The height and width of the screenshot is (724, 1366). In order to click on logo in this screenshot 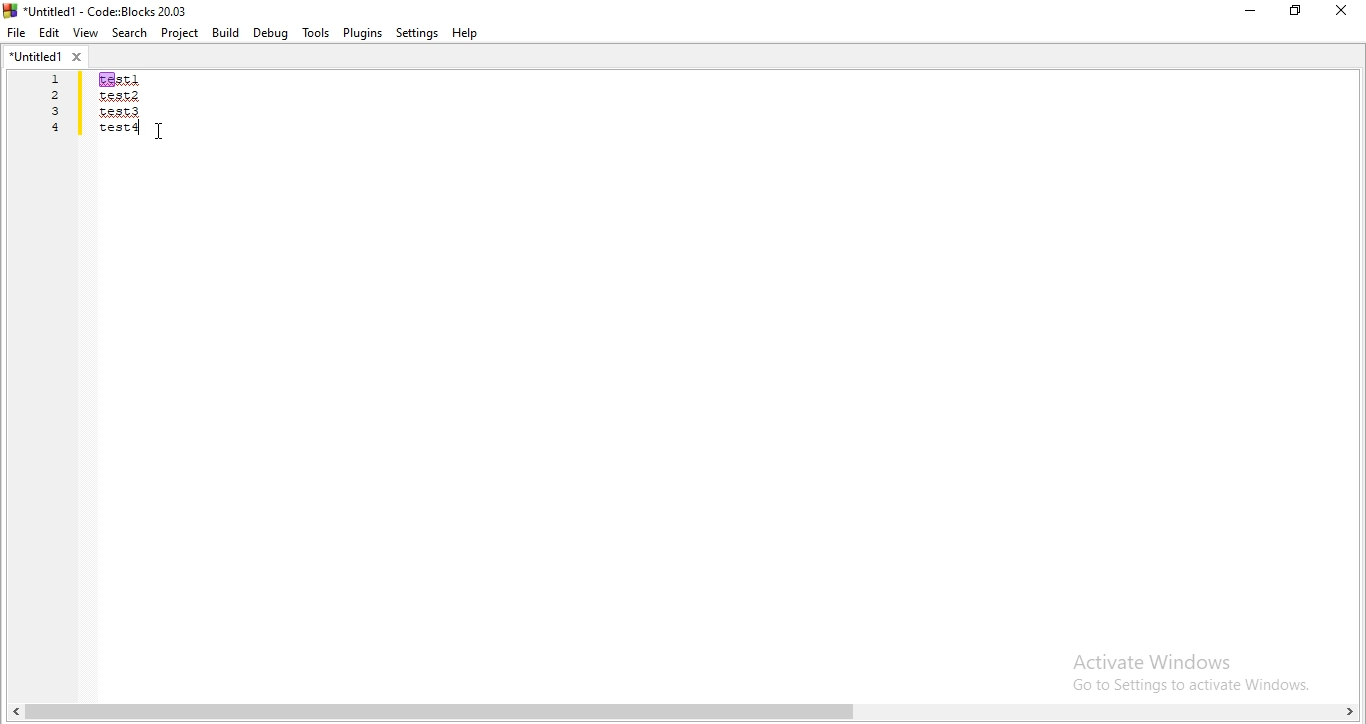, I will do `click(98, 9)`.